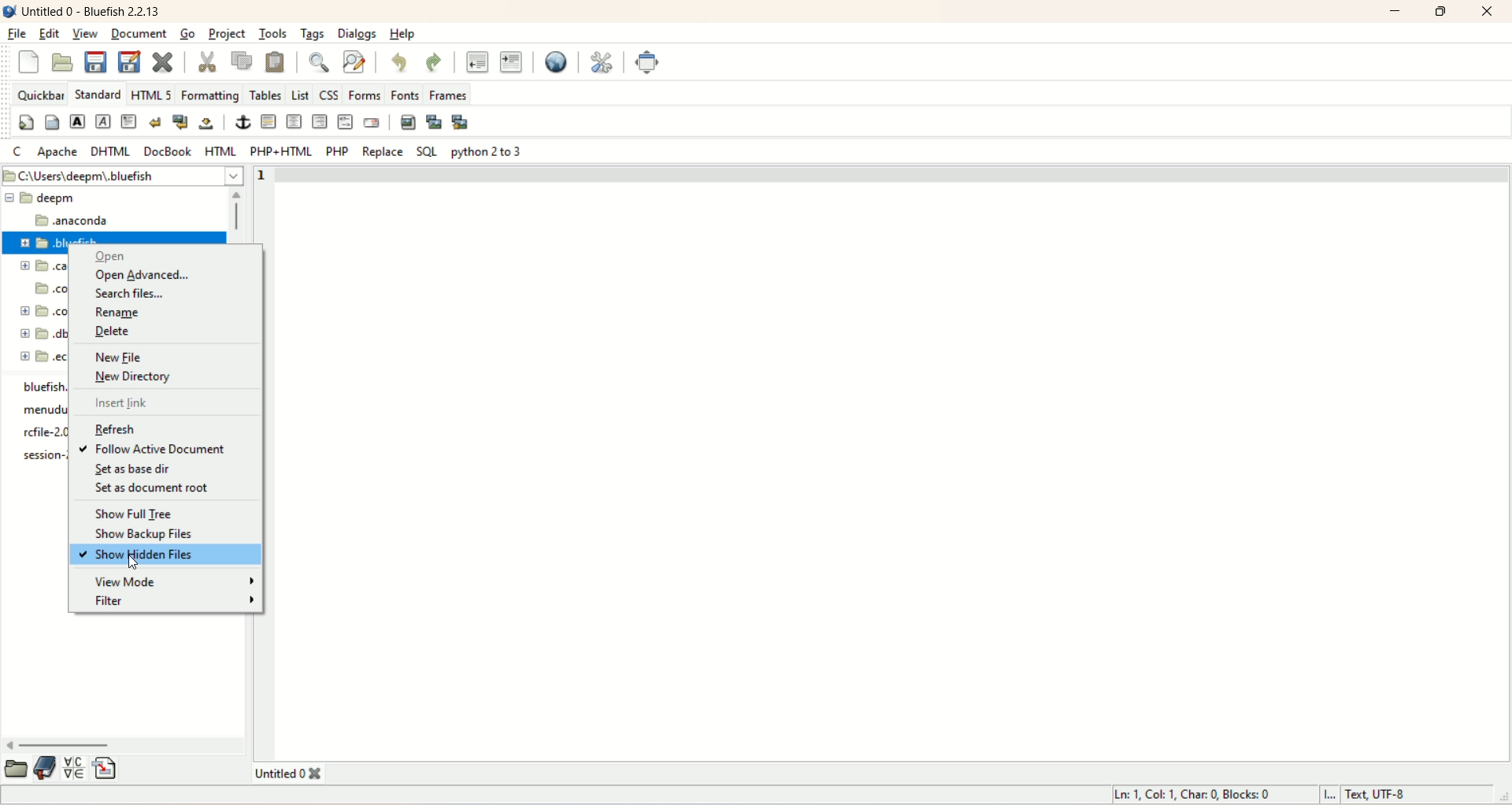  Describe the element at coordinates (153, 450) in the screenshot. I see `follow active document` at that location.